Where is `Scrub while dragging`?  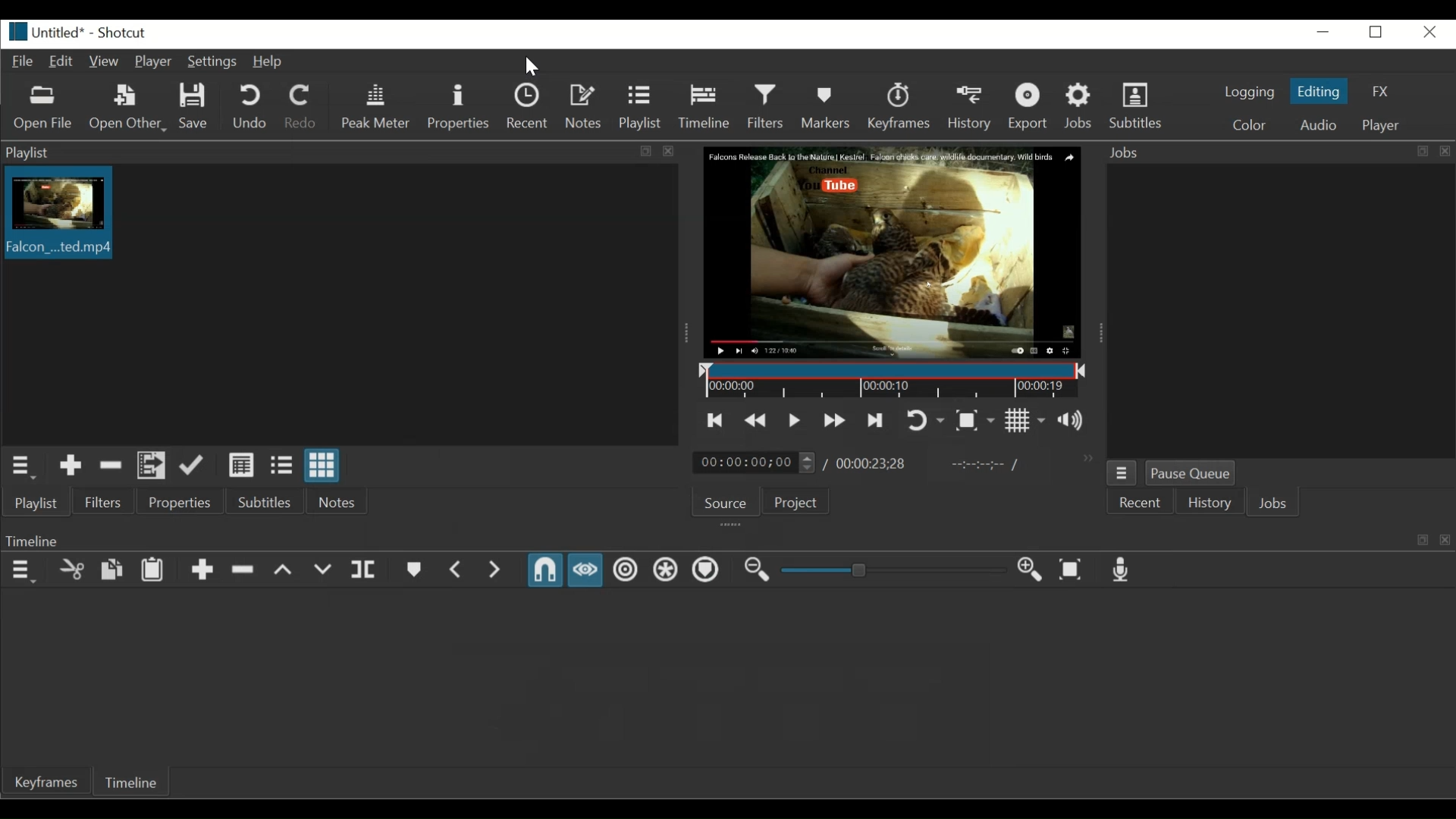 Scrub while dragging is located at coordinates (585, 570).